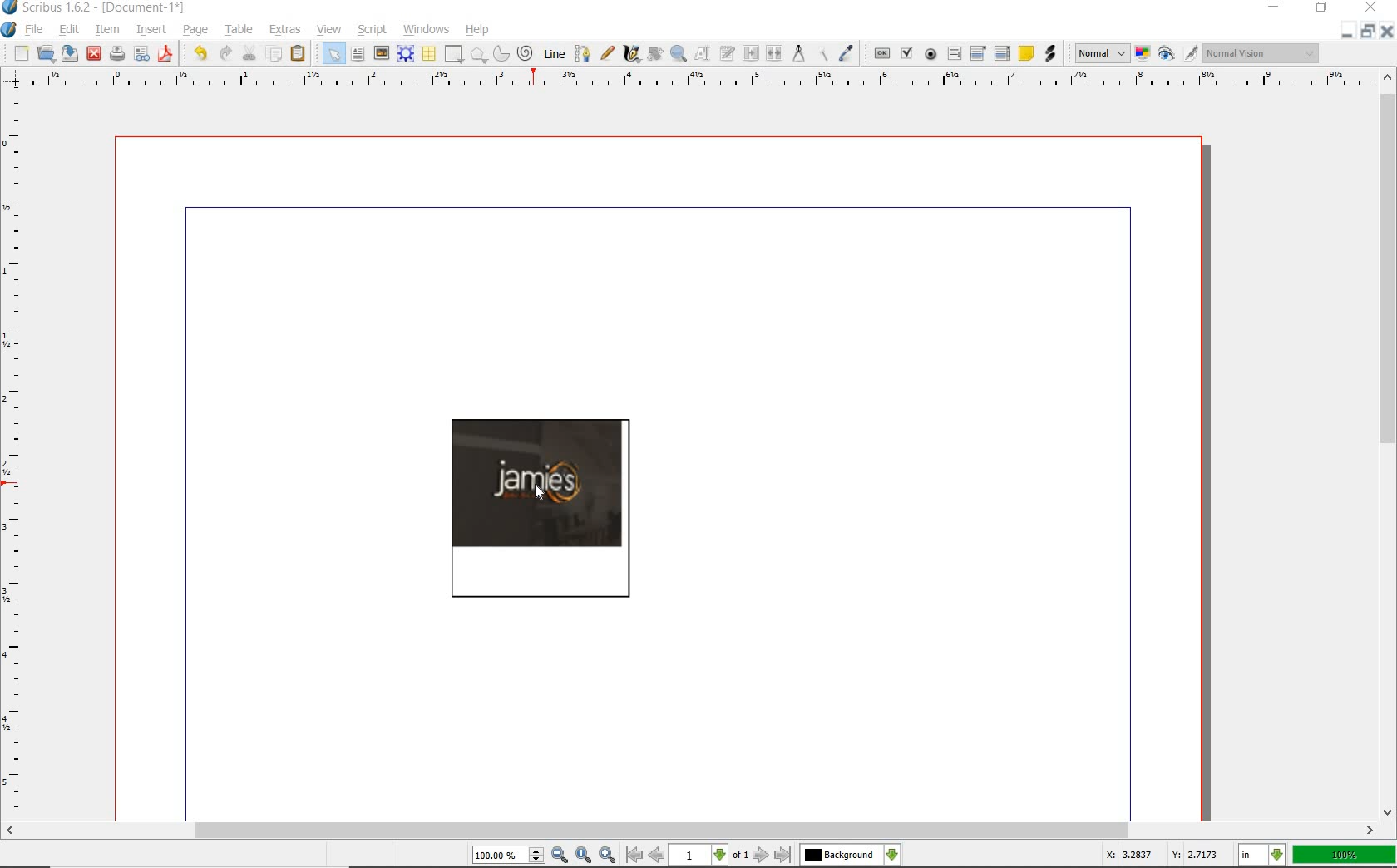 This screenshot has height=868, width=1397. Describe the element at coordinates (752, 52) in the screenshot. I see `link text frames` at that location.